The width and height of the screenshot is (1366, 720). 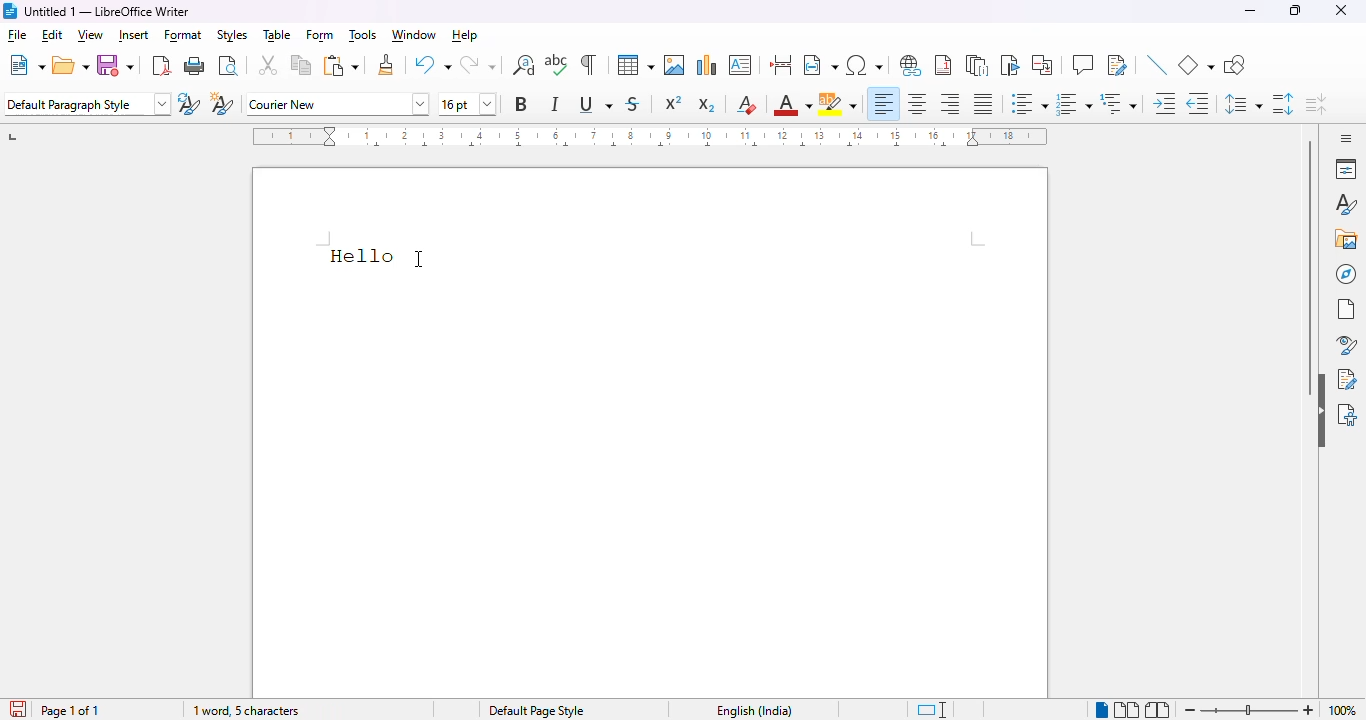 I want to click on bold, so click(x=521, y=104).